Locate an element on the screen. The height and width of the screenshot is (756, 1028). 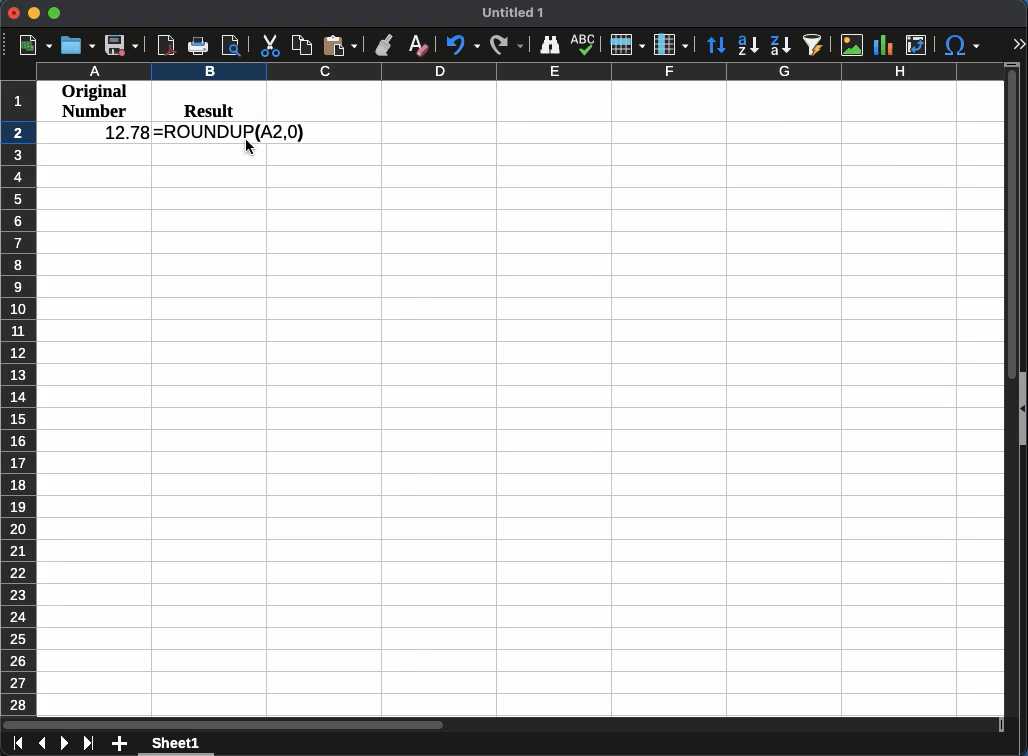
expand is located at coordinates (1018, 44).